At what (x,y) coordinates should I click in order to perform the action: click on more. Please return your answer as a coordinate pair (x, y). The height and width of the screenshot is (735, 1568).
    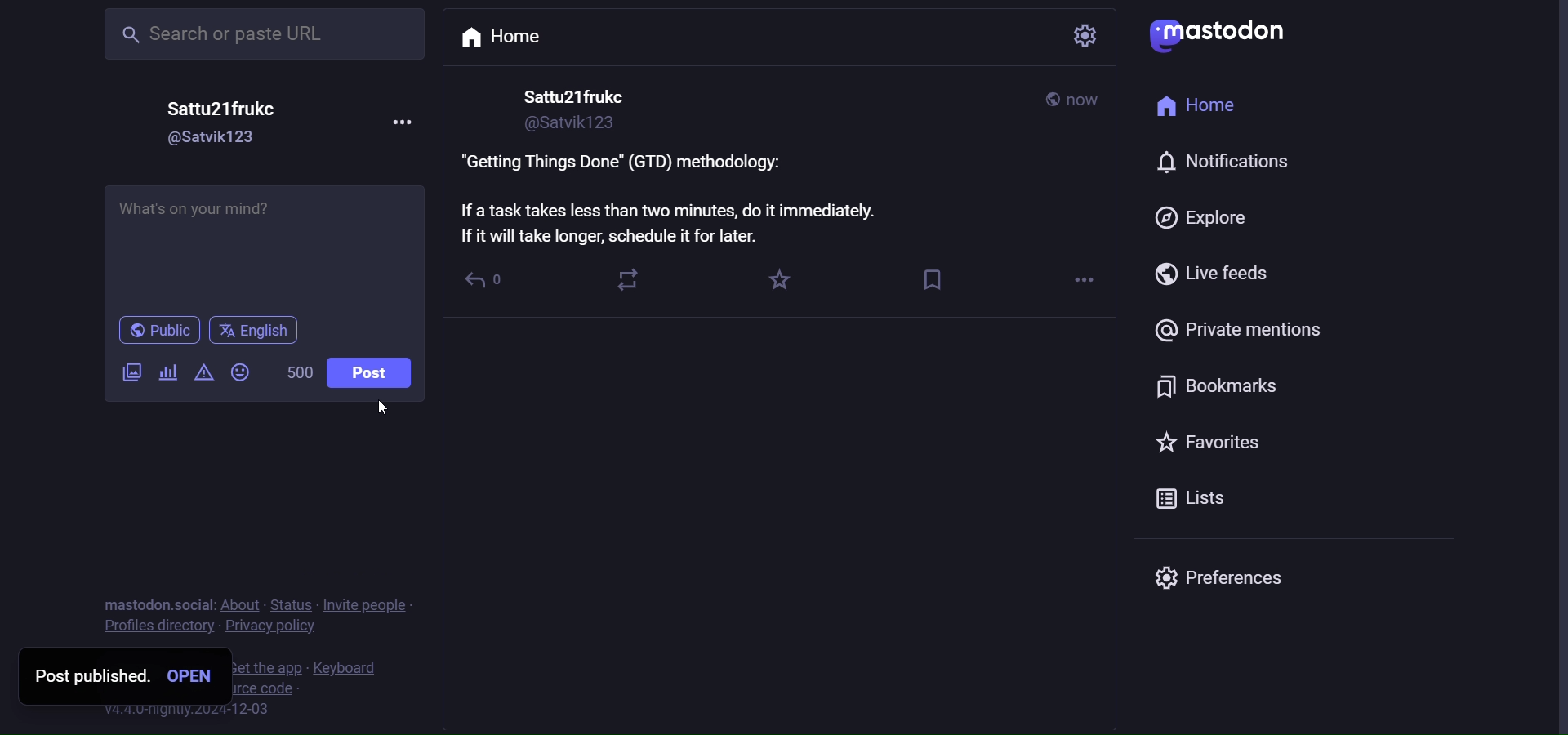
    Looking at the image, I should click on (412, 122).